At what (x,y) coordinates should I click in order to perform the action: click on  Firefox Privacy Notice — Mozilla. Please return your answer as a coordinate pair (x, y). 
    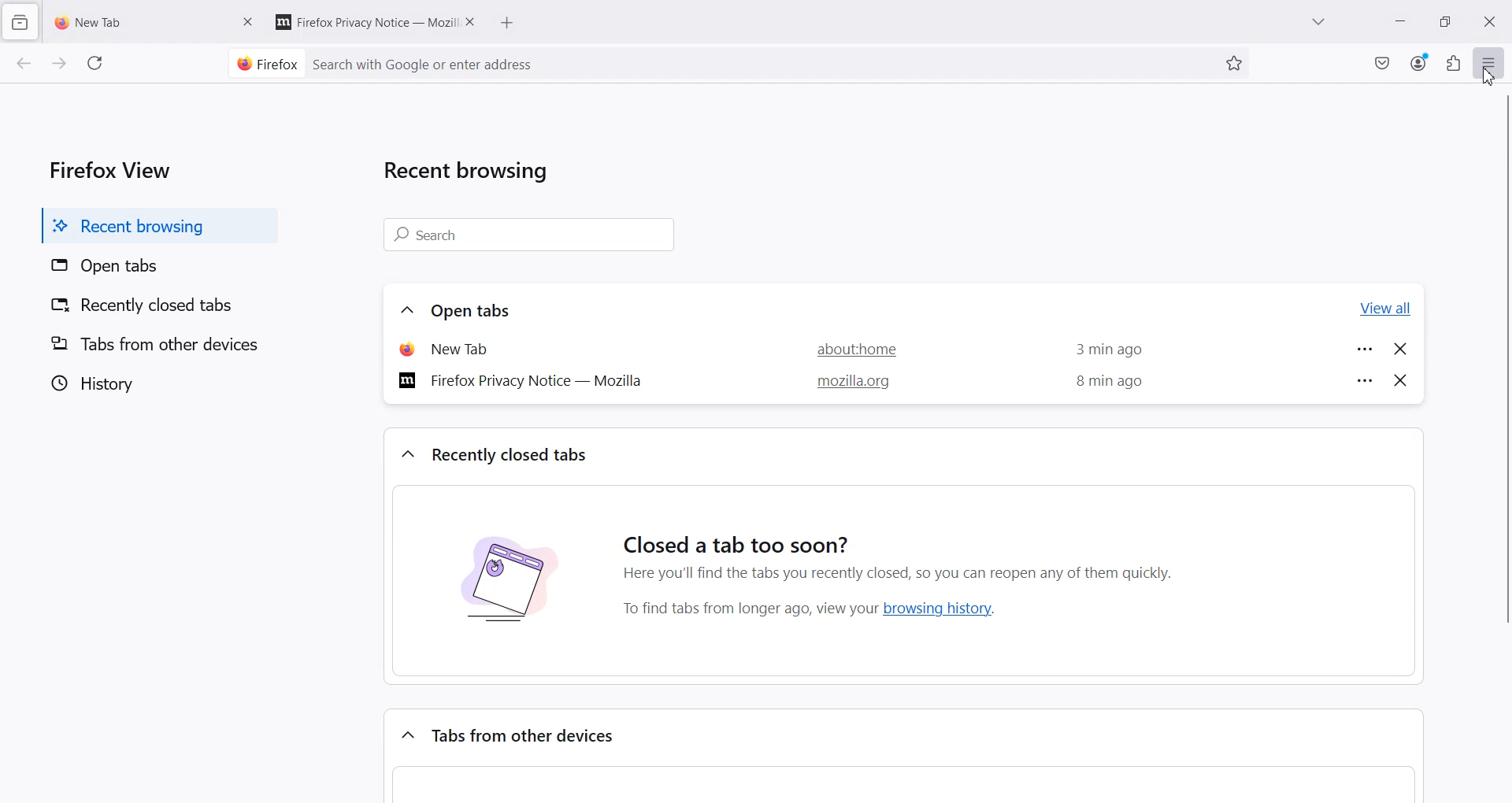
    Looking at the image, I should click on (526, 379).